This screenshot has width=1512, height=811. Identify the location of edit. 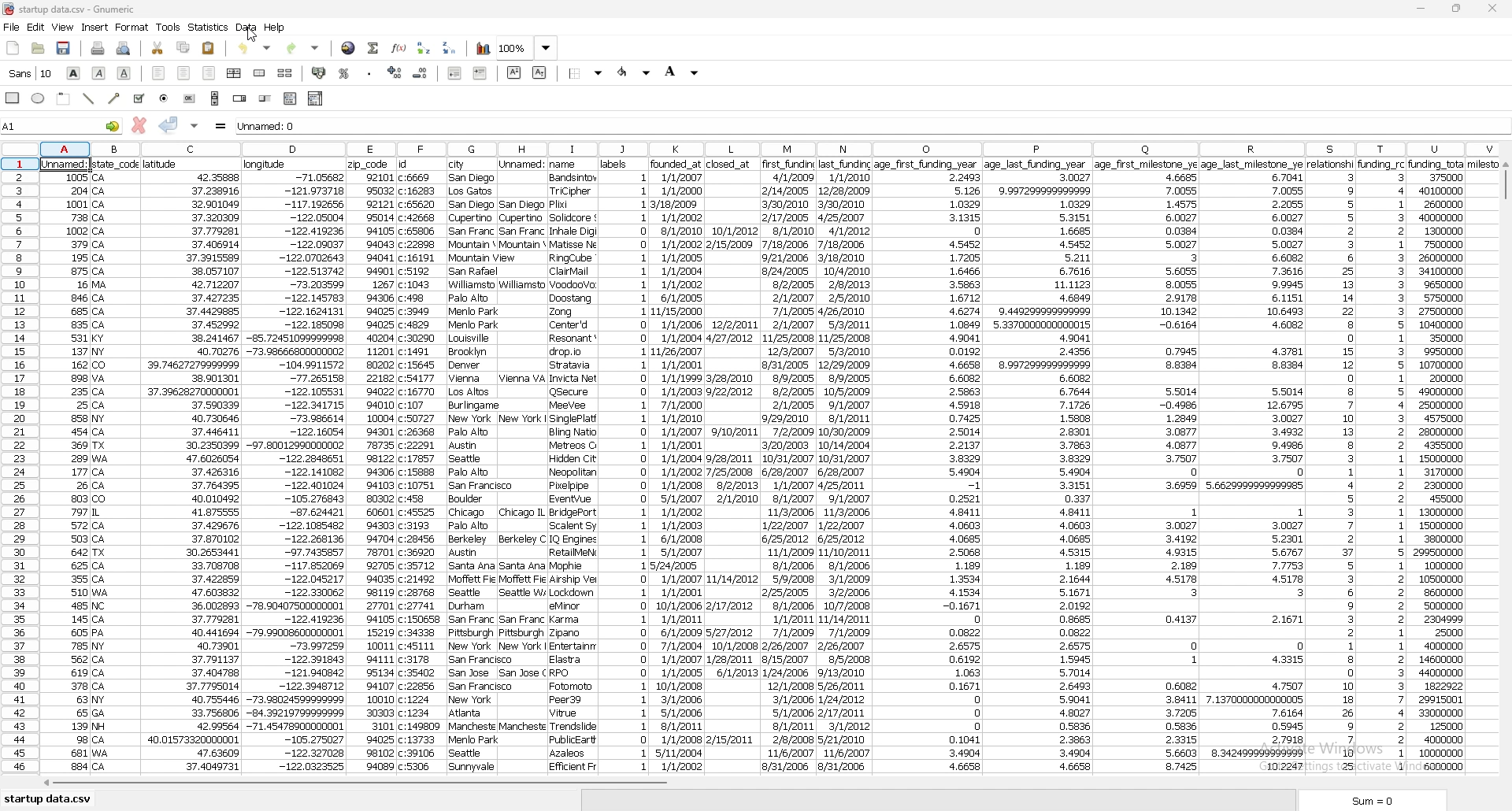
(36, 28).